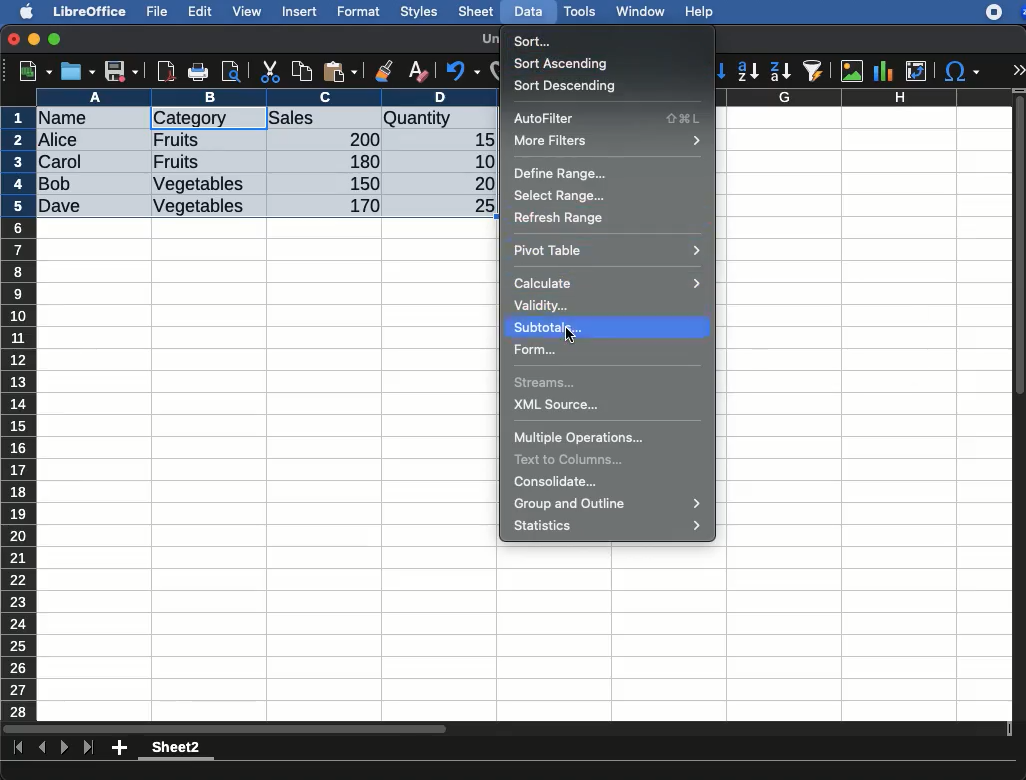 This screenshot has height=780, width=1026. What do you see at coordinates (79, 71) in the screenshot?
I see `save` at bounding box center [79, 71].